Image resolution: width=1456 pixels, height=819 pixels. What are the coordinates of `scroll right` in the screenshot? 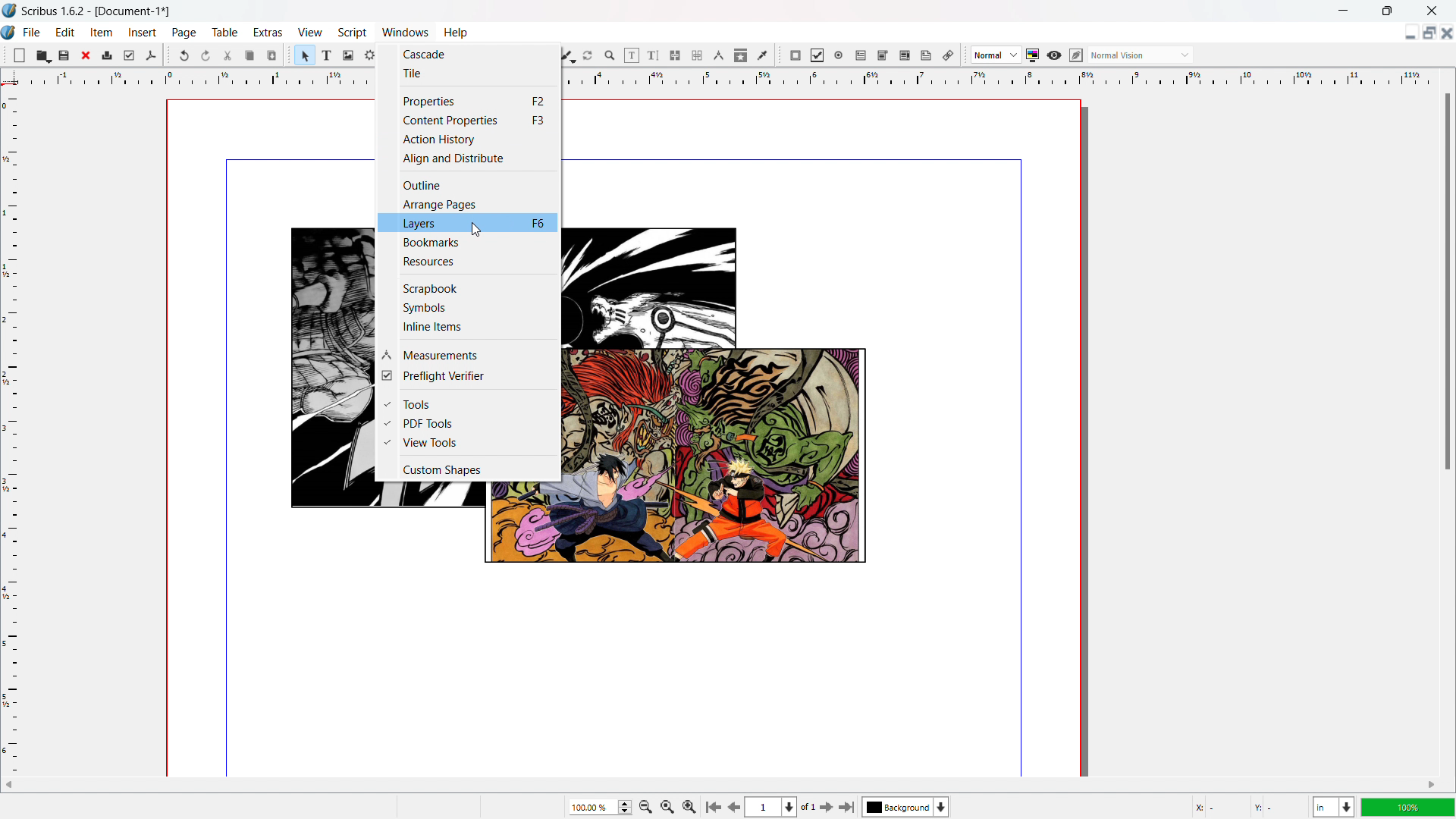 It's located at (1430, 786).